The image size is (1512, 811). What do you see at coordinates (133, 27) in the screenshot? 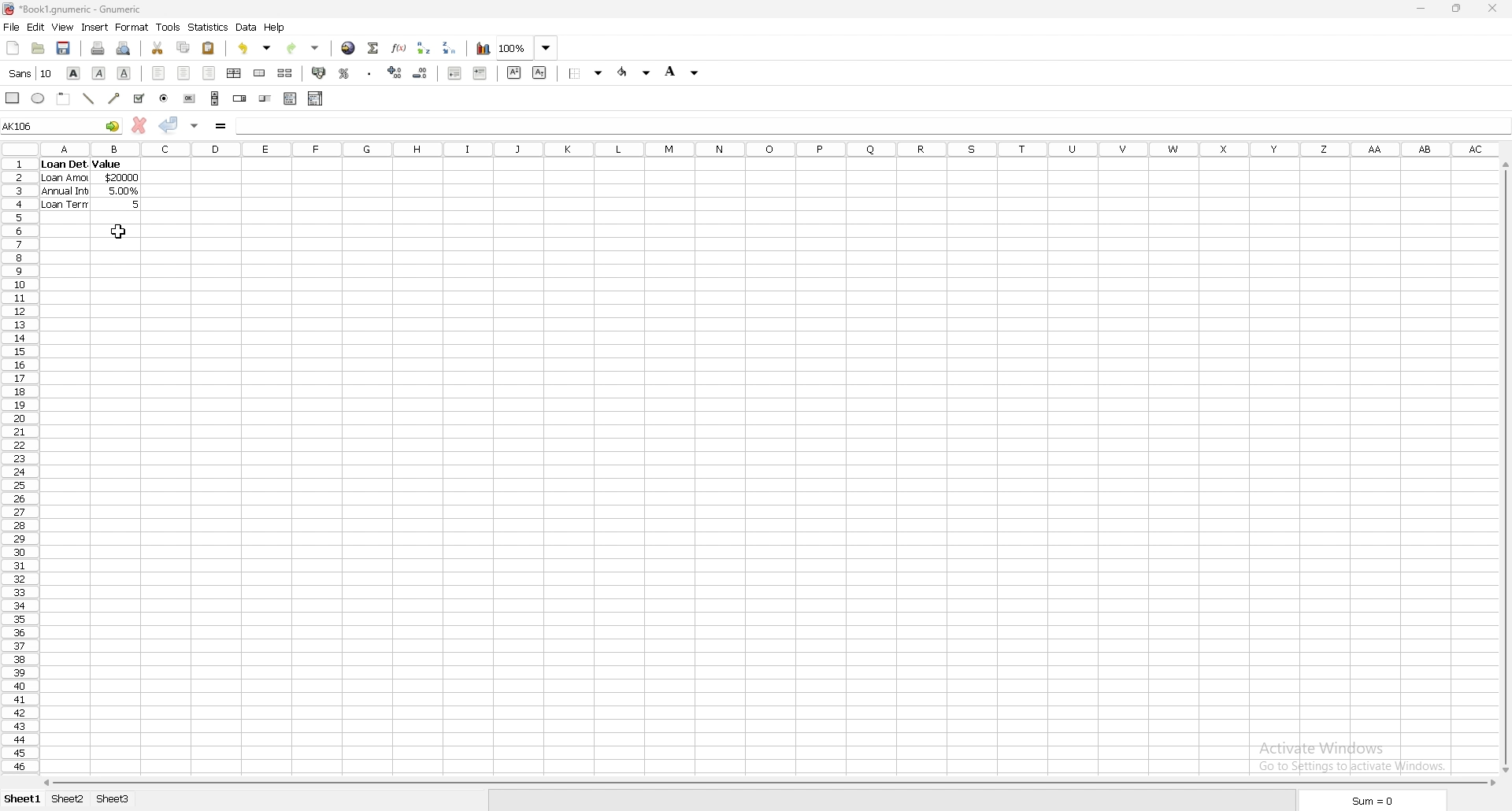
I see `format` at bounding box center [133, 27].